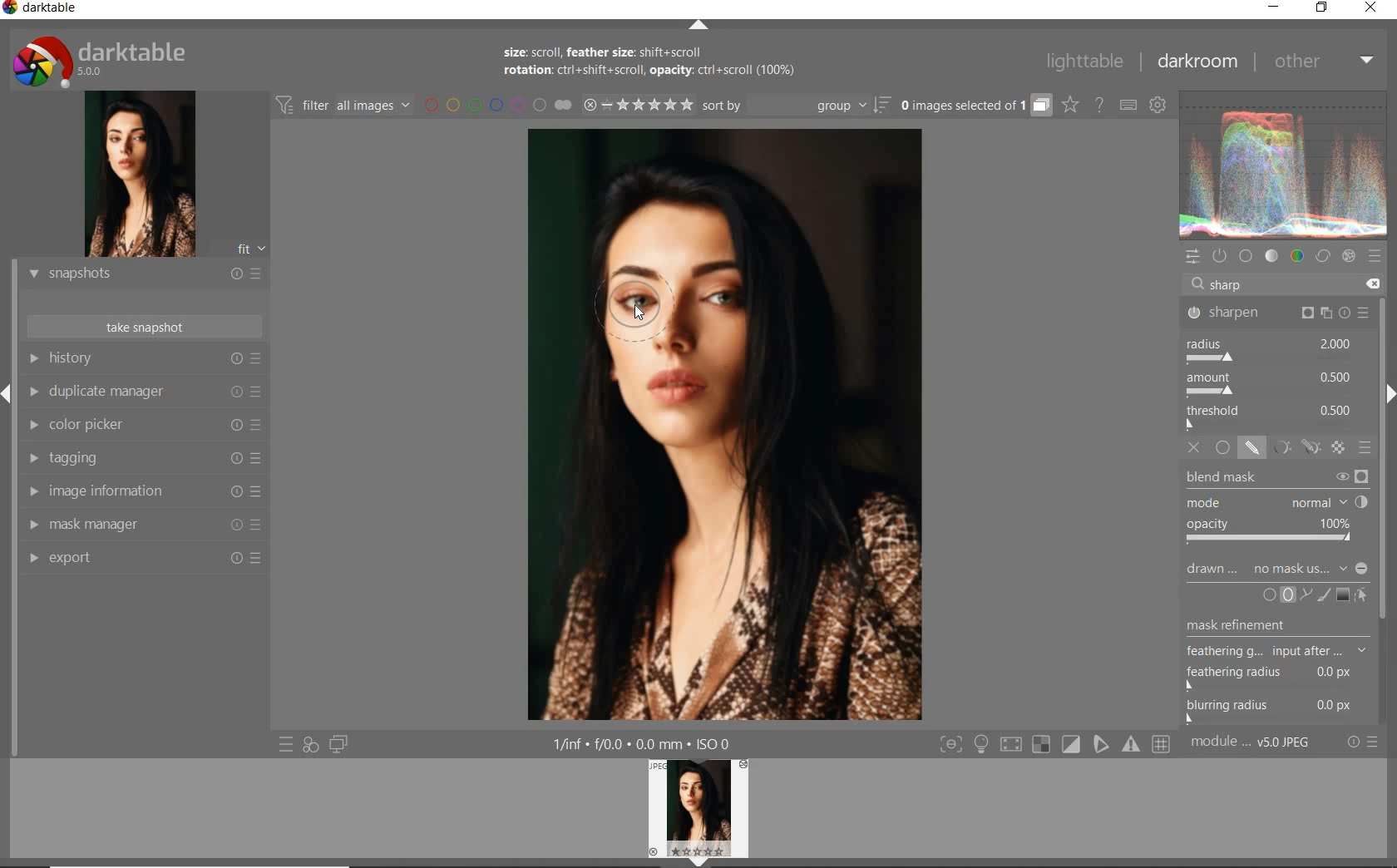  What do you see at coordinates (344, 107) in the screenshot?
I see `filter all images by module order` at bounding box center [344, 107].